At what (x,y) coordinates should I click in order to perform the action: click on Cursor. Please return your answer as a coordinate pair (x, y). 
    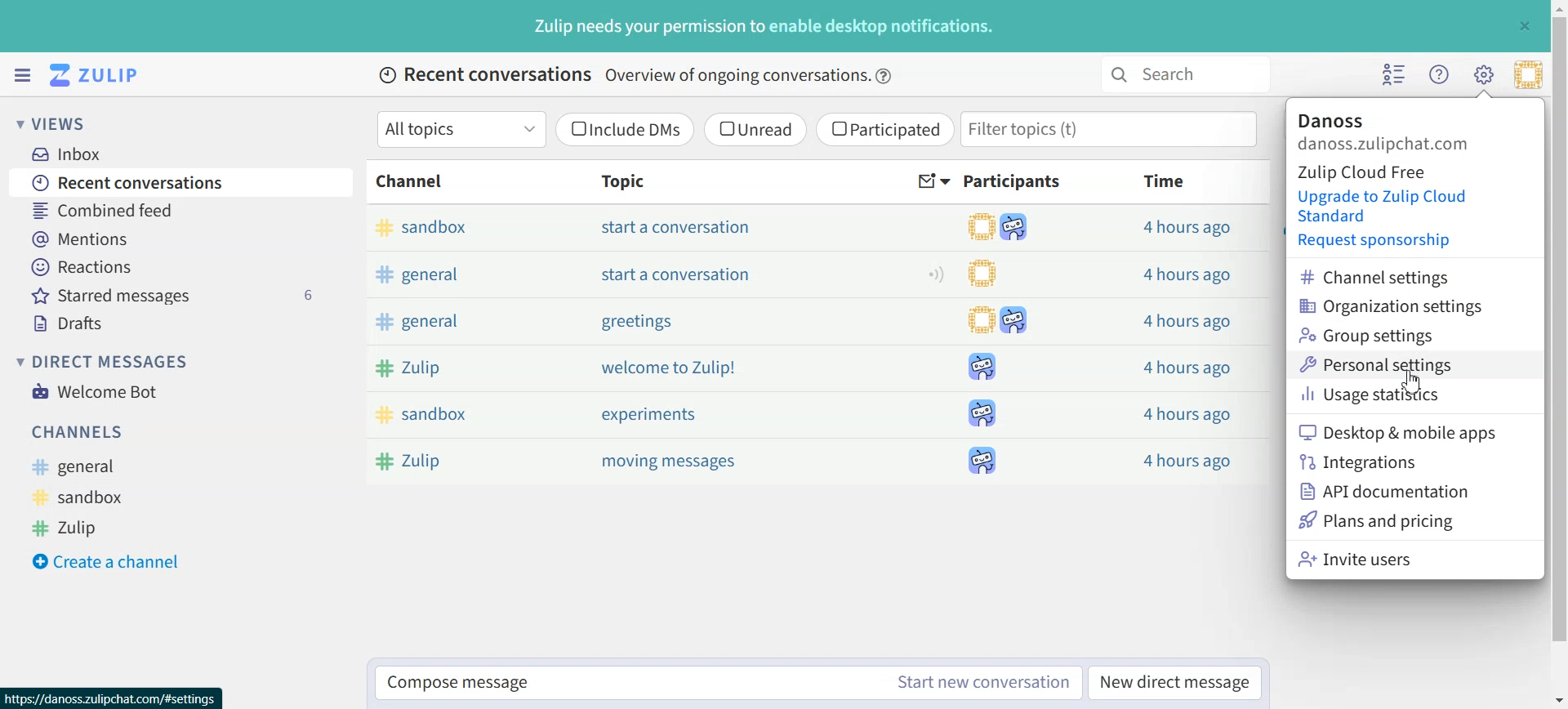
    Looking at the image, I should click on (1412, 381).